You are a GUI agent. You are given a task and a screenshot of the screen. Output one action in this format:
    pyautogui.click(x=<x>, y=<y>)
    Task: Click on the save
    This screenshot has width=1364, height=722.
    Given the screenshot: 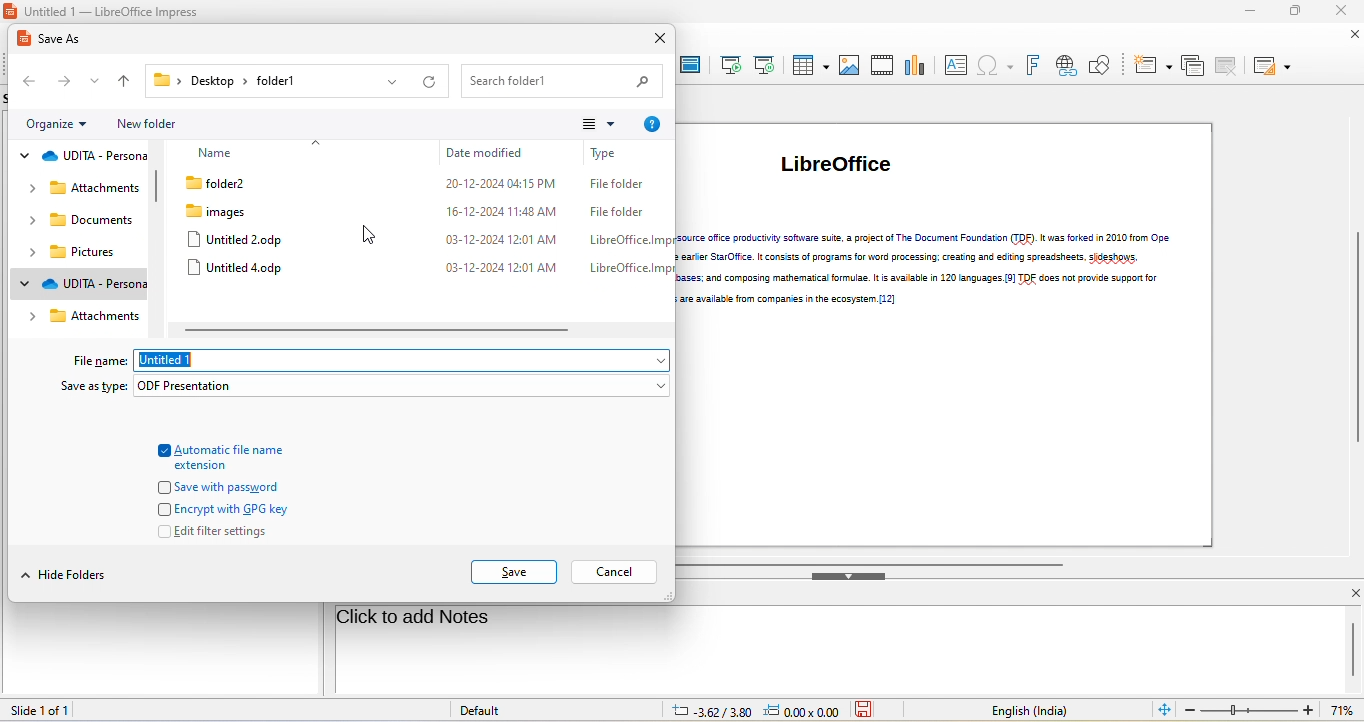 What is the action you would take?
    pyautogui.click(x=515, y=574)
    